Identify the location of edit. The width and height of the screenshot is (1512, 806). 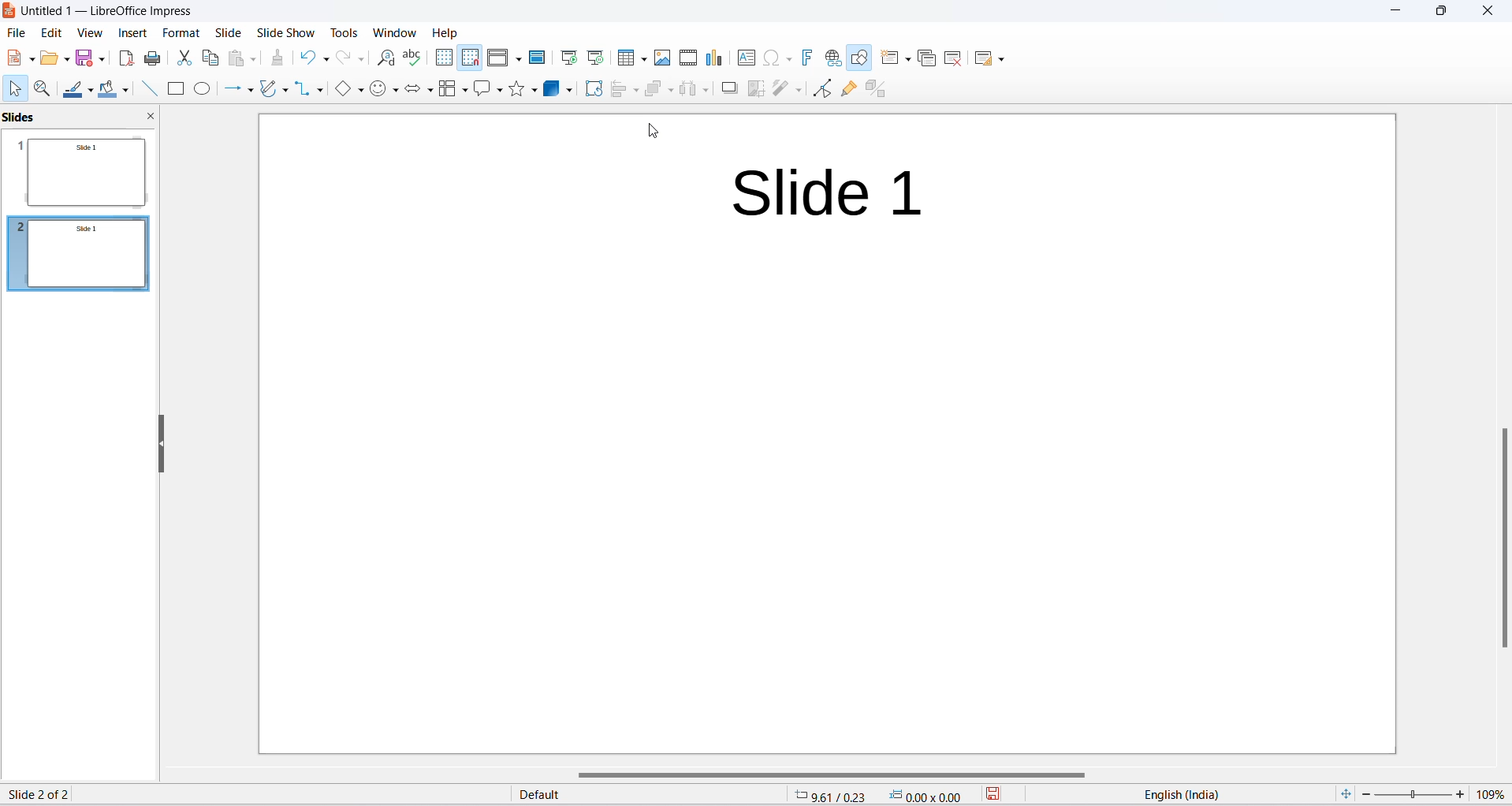
(51, 34).